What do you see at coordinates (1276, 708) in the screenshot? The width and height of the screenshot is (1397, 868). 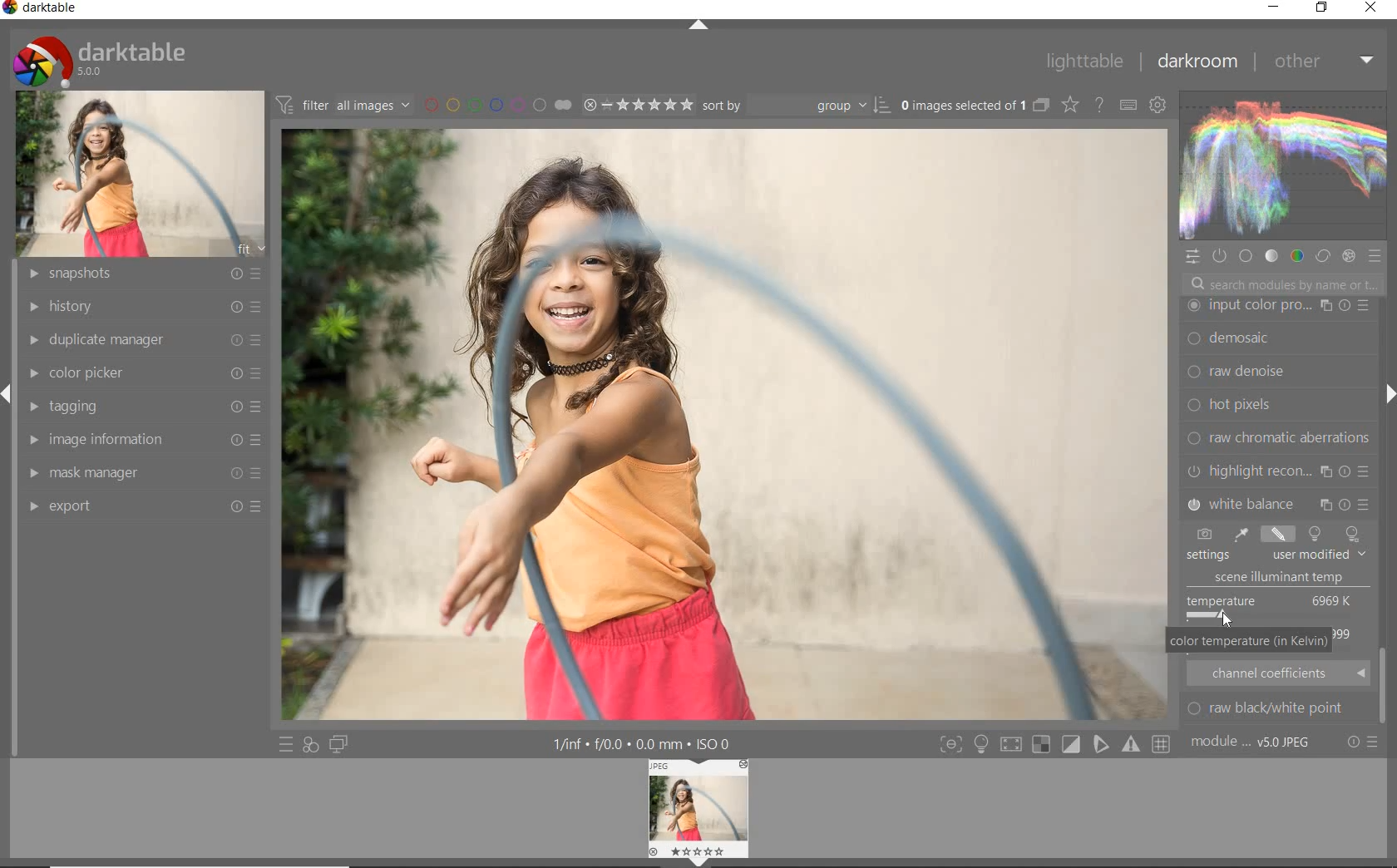 I see `ROW BLACK/WHITE POINT` at bounding box center [1276, 708].